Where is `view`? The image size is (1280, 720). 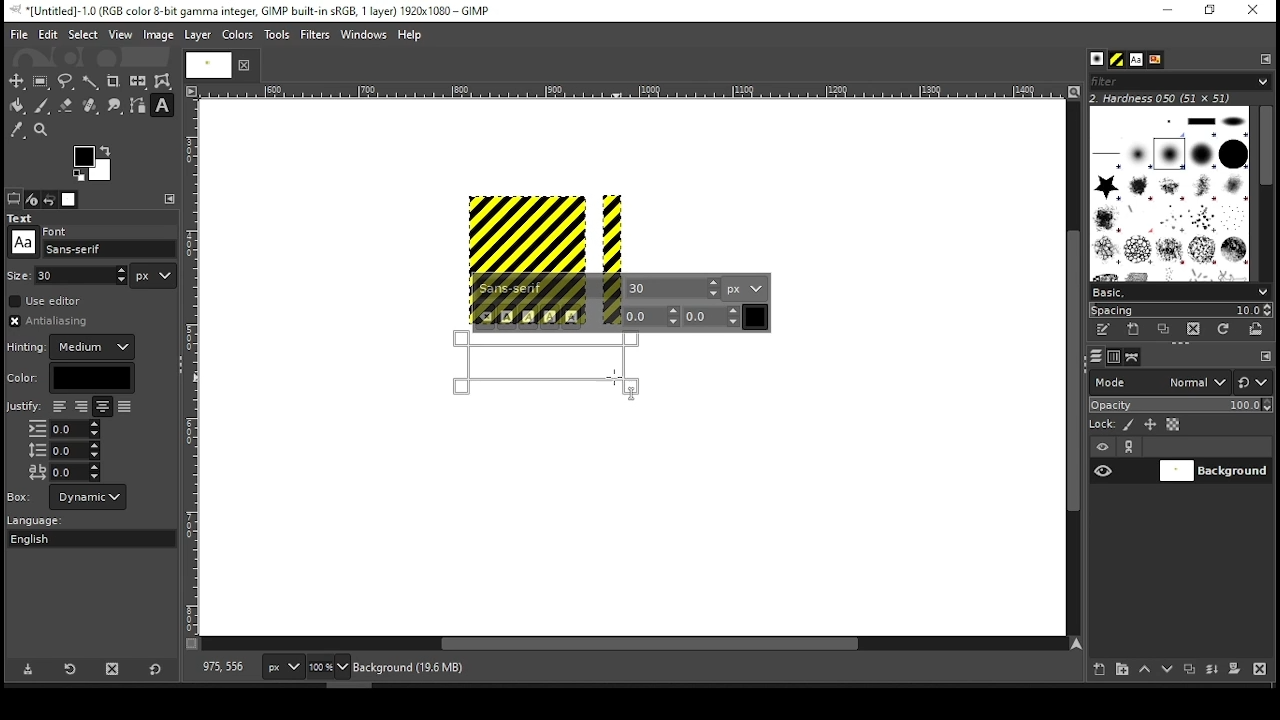
view is located at coordinates (121, 36).